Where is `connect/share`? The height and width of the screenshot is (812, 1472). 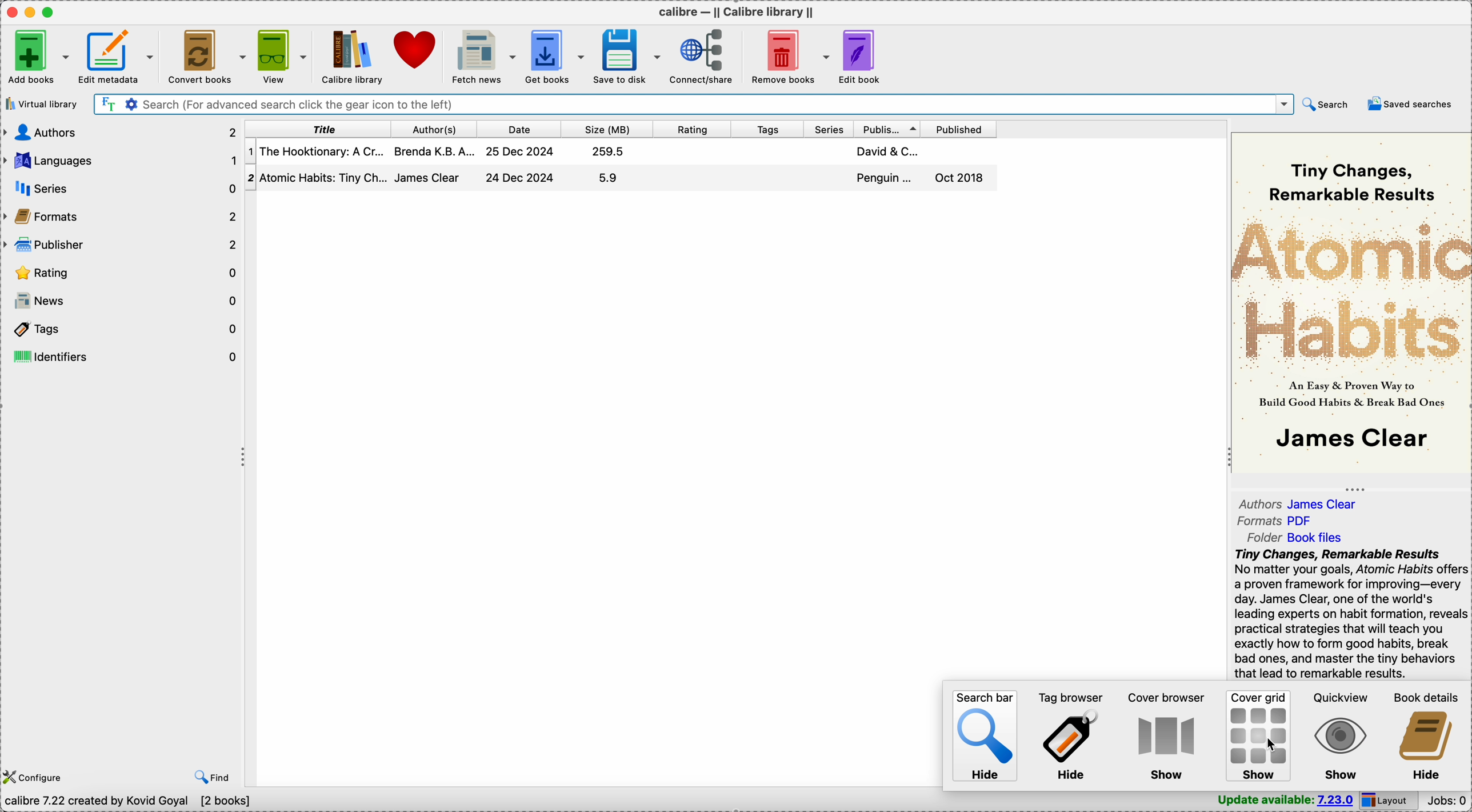 connect/share is located at coordinates (704, 55).